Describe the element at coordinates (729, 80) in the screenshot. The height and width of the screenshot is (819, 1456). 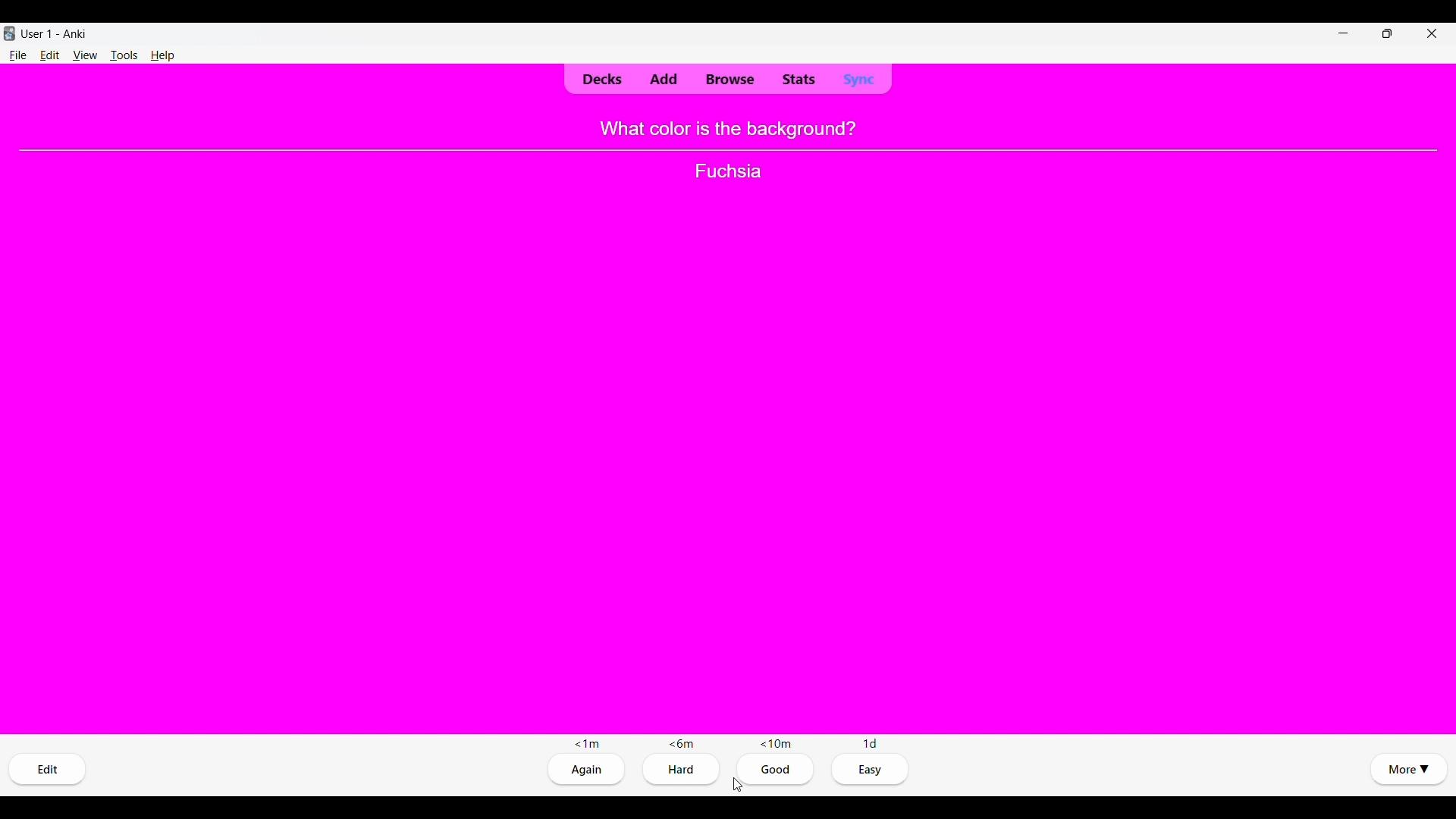
I see `Browse` at that location.